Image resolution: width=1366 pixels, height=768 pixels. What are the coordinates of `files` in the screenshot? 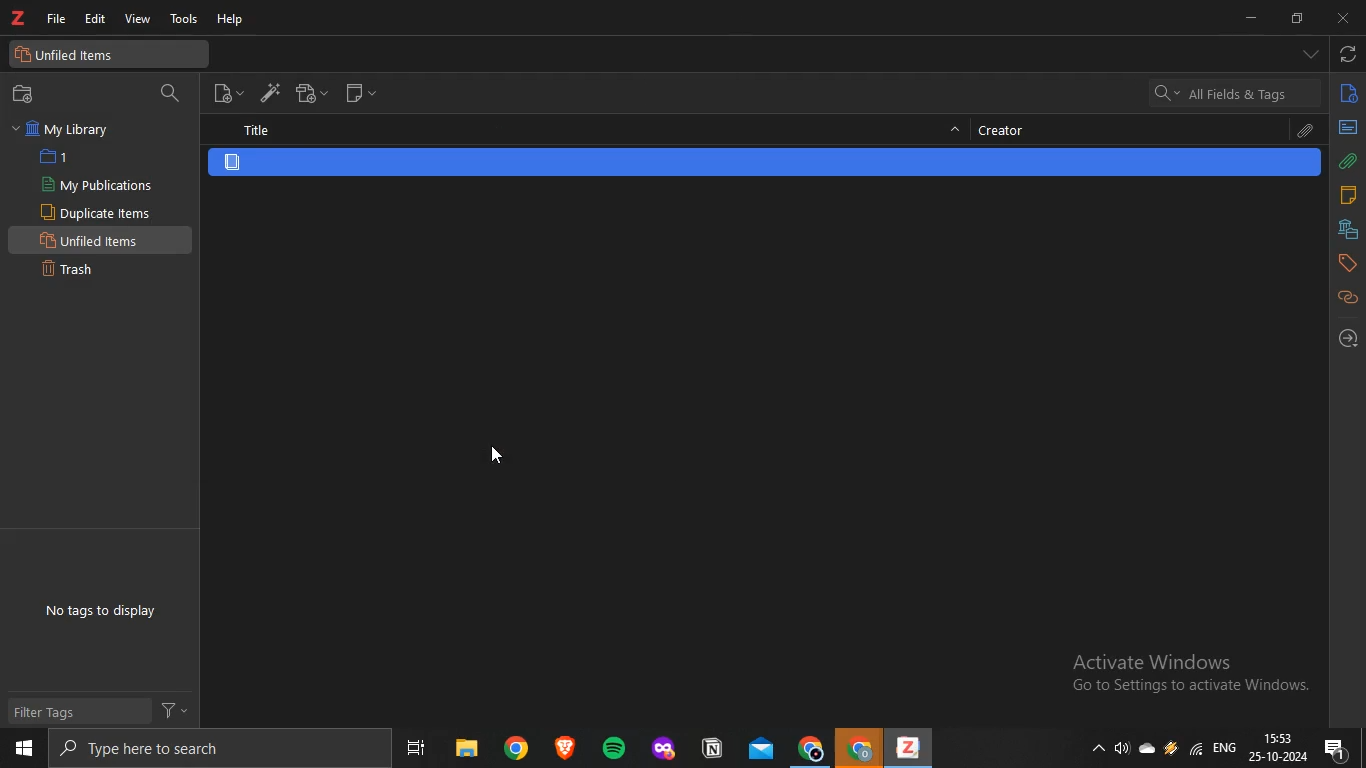 It's located at (465, 748).